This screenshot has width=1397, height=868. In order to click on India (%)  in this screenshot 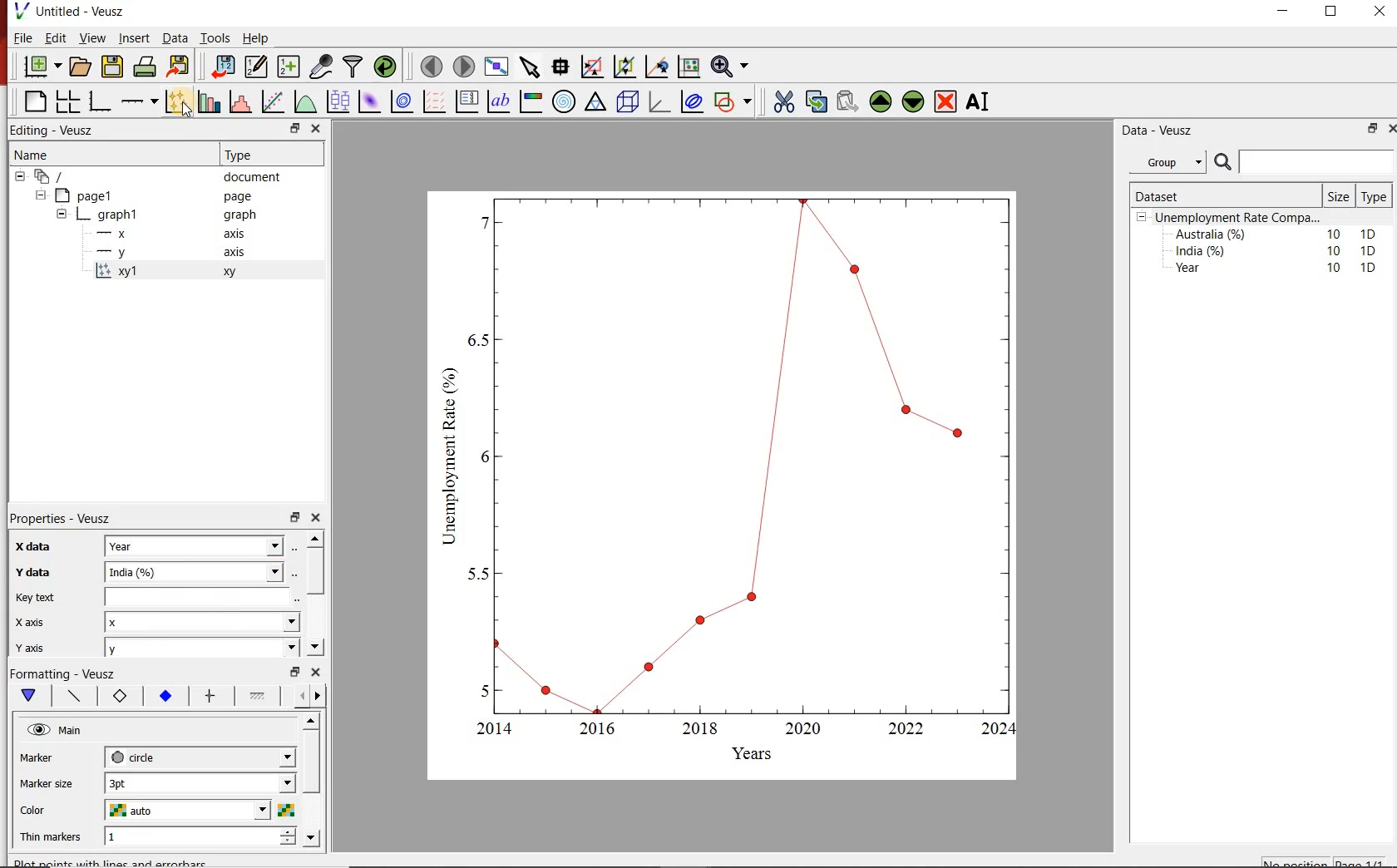, I will do `click(200, 570)`.